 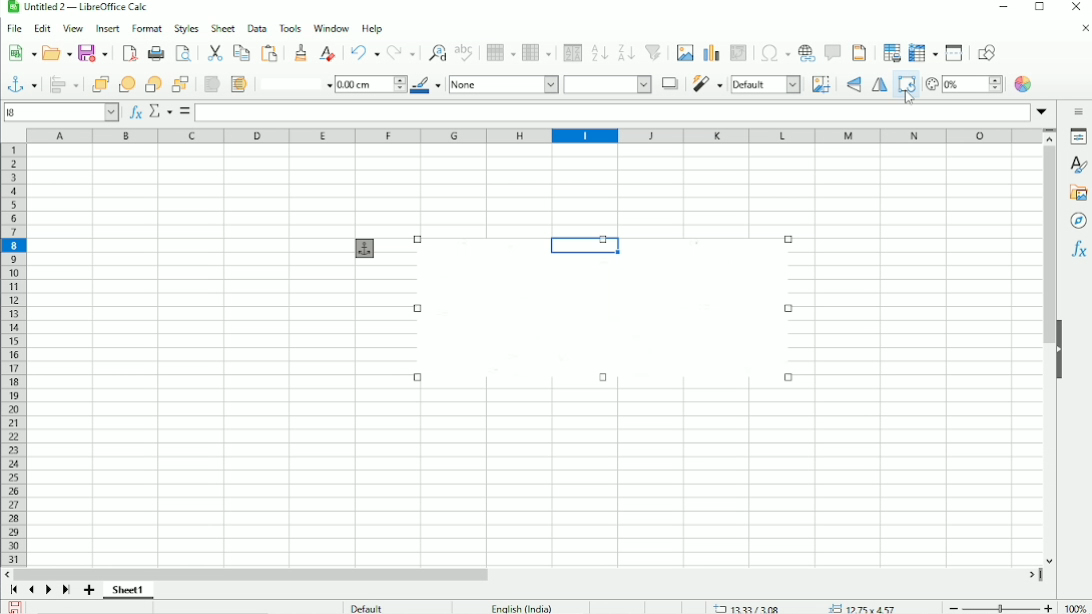 I want to click on Save, so click(x=15, y=607).